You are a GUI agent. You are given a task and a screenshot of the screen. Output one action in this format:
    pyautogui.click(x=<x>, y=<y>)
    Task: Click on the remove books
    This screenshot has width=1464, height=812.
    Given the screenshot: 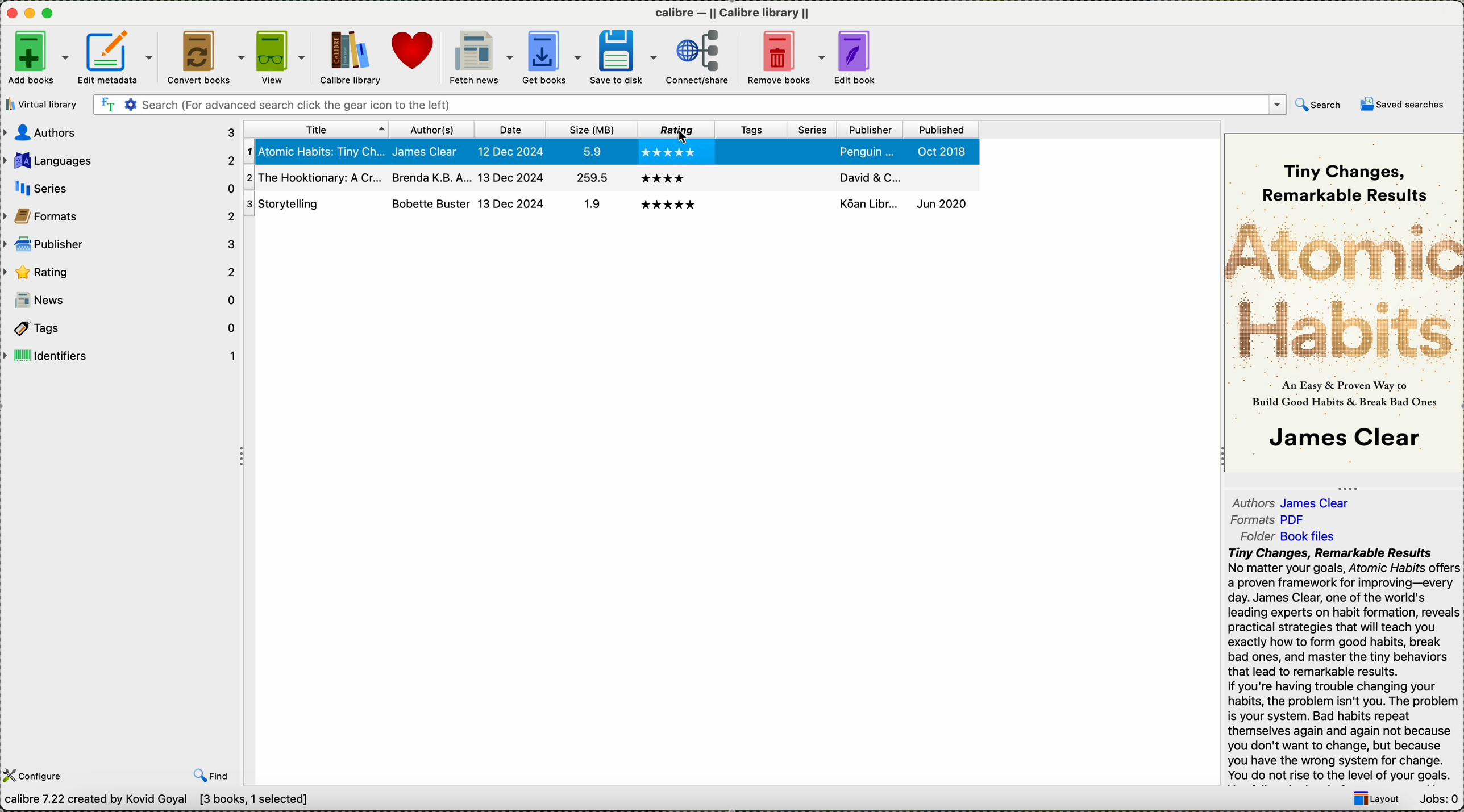 What is the action you would take?
    pyautogui.click(x=785, y=57)
    